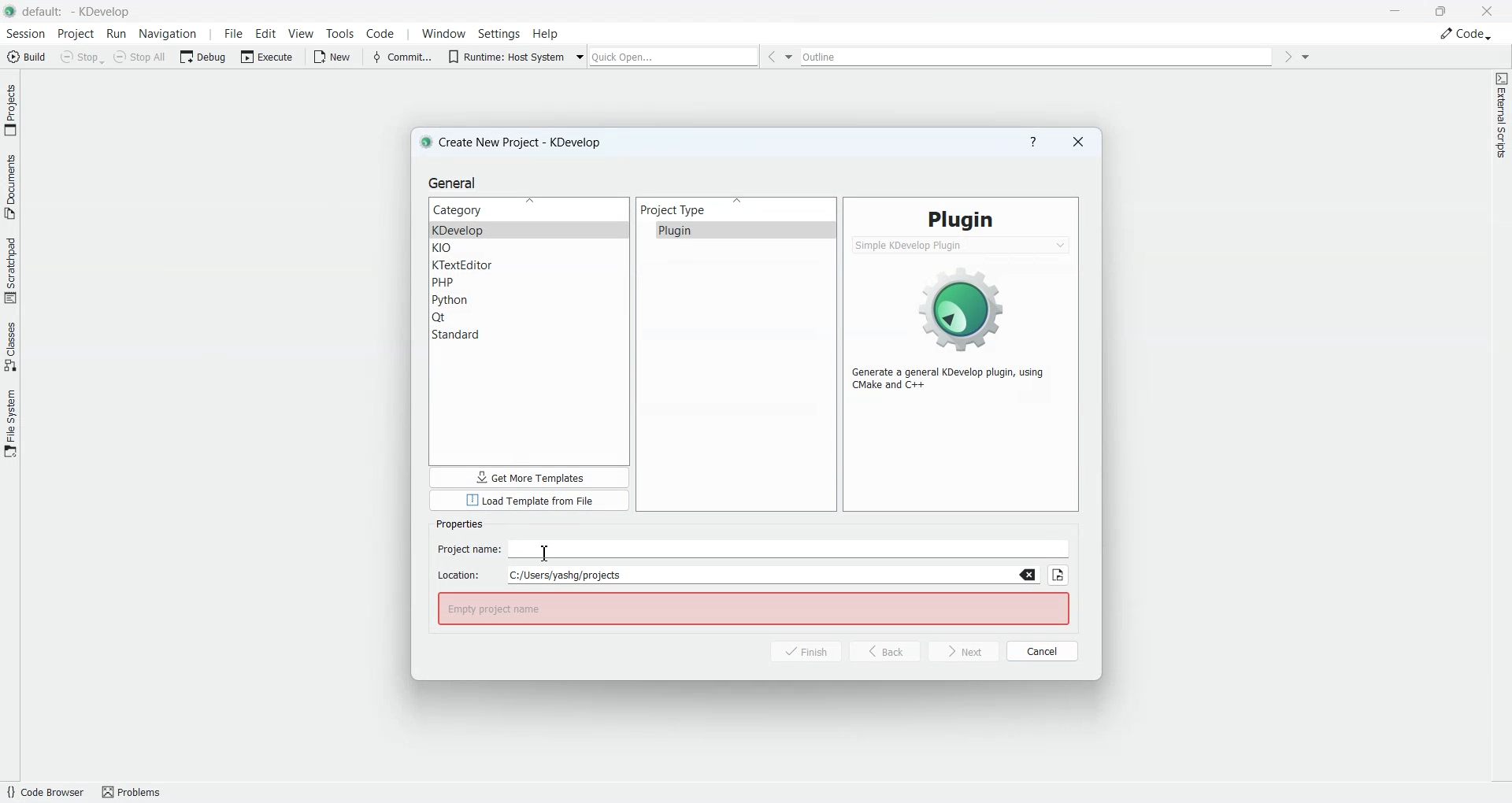 This screenshot has width=1512, height=803. Describe the element at coordinates (543, 553) in the screenshot. I see `Text cursor` at that location.